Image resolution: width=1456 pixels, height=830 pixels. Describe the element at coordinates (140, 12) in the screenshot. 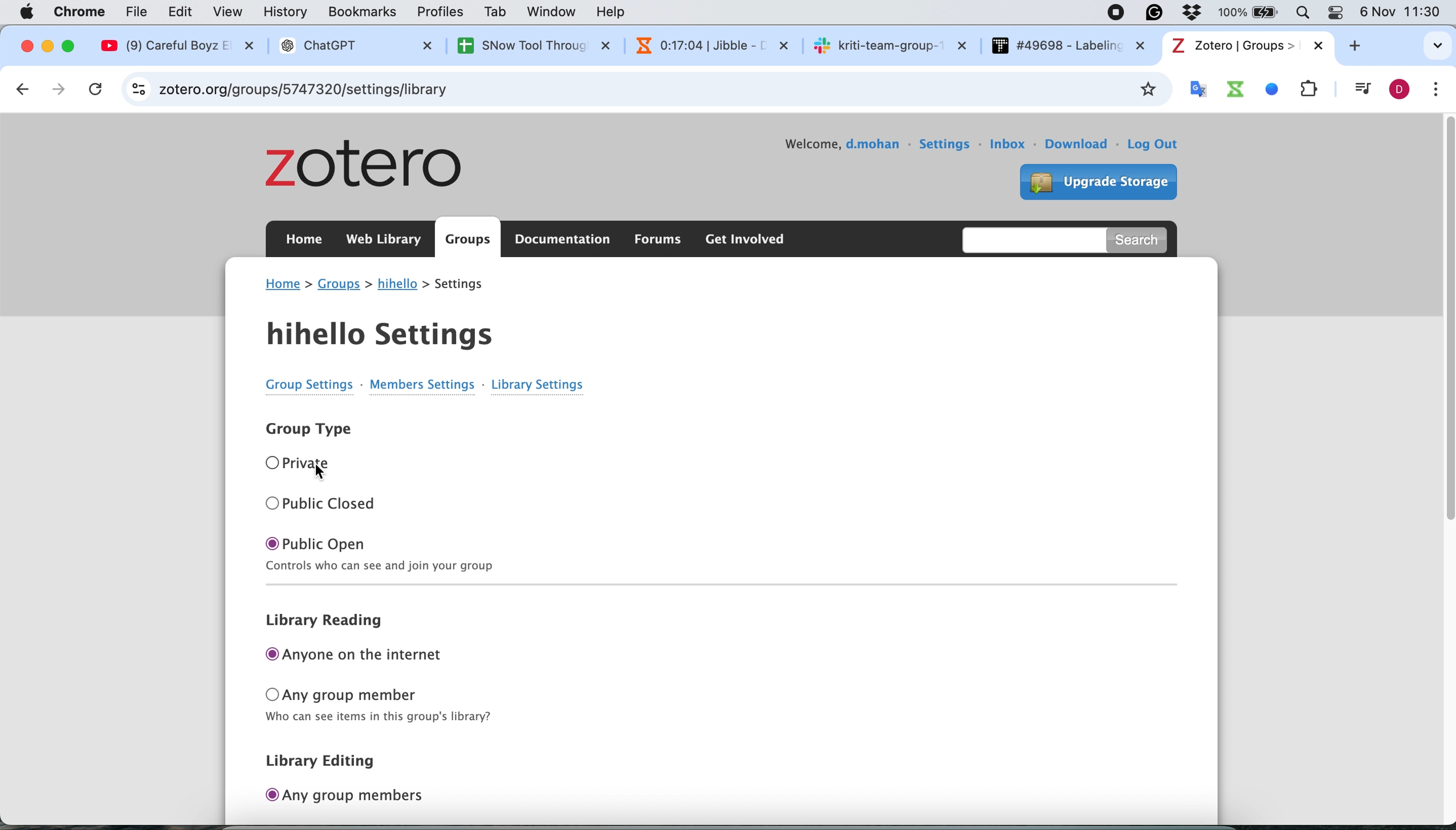

I see `file` at that location.